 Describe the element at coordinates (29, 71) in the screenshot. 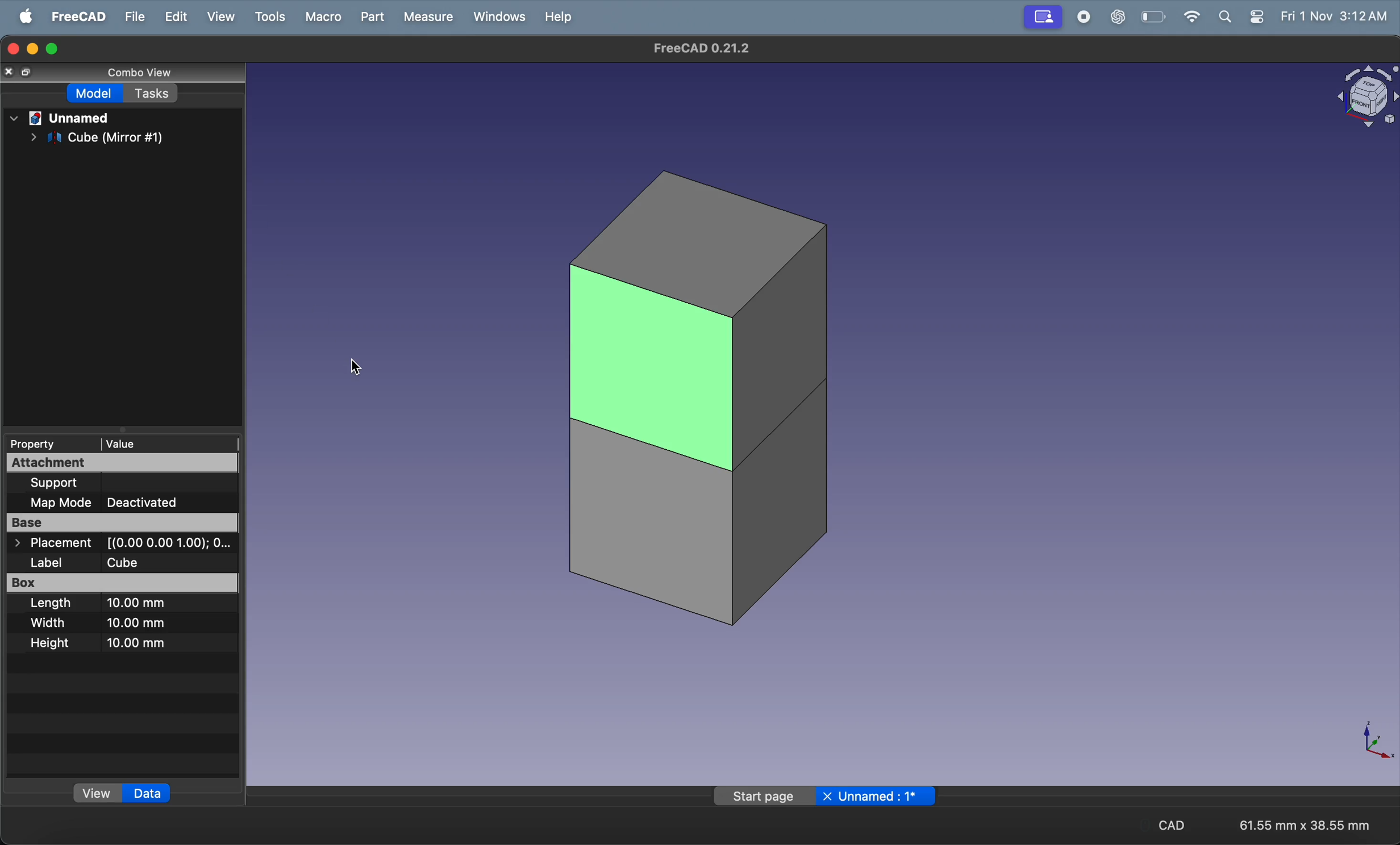

I see `resize` at that location.